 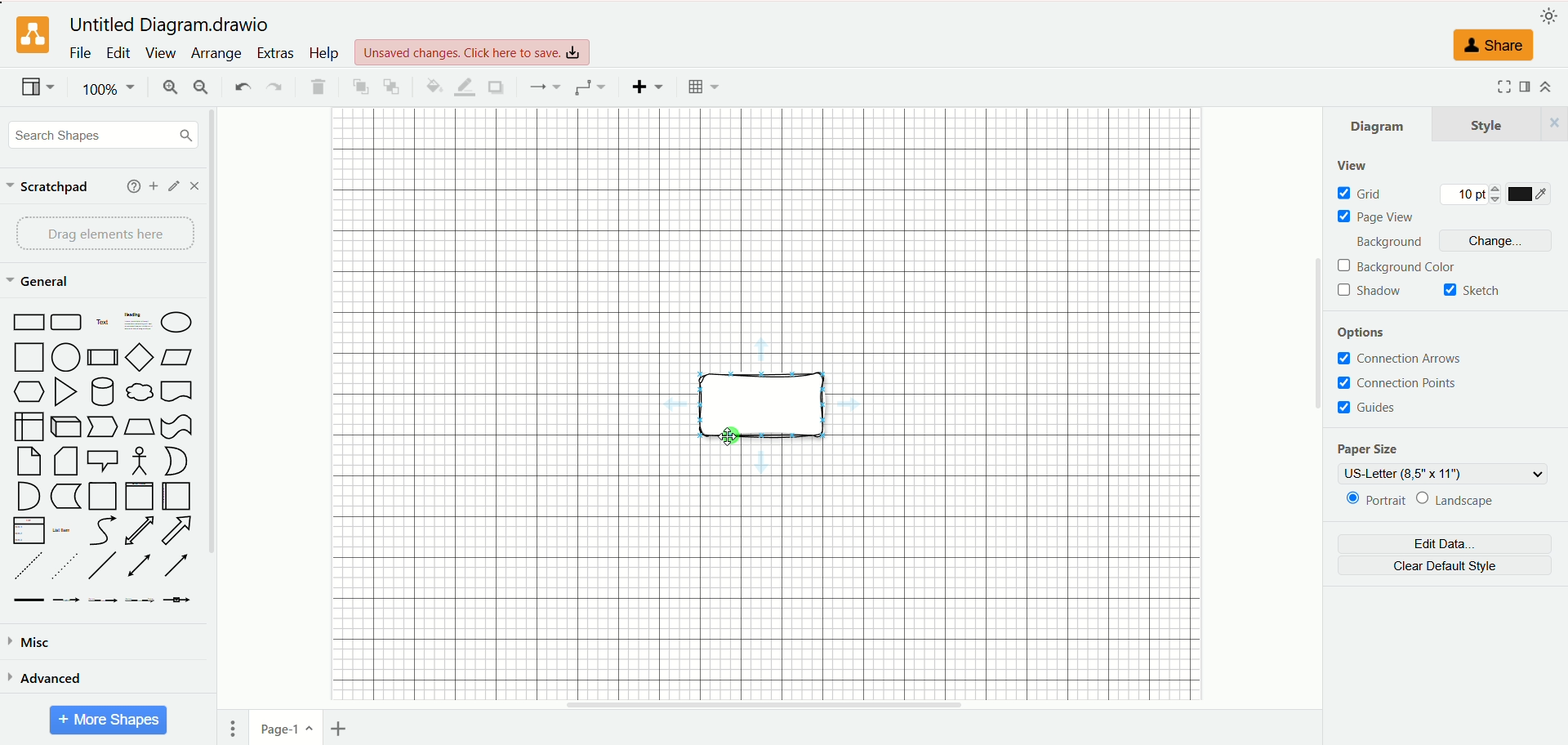 I want to click on background color, so click(x=1400, y=265).